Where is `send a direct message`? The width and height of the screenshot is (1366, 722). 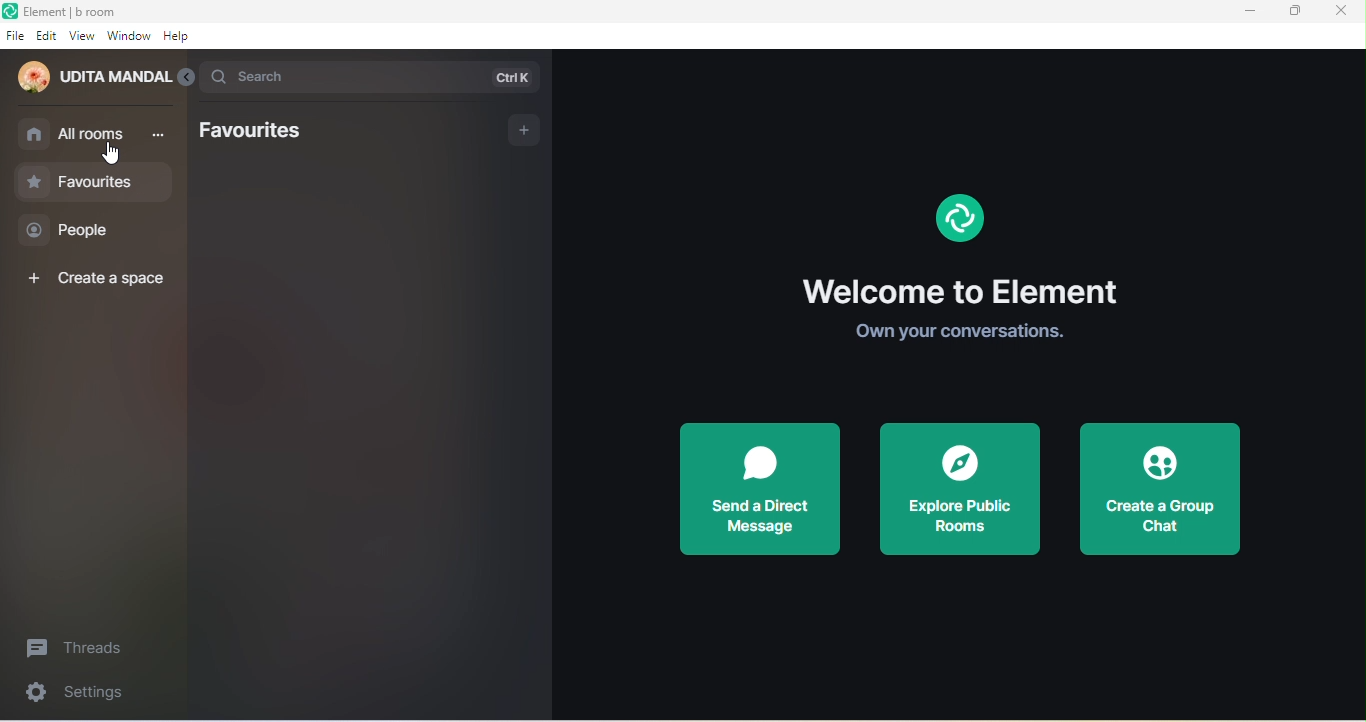
send a direct message is located at coordinates (762, 493).